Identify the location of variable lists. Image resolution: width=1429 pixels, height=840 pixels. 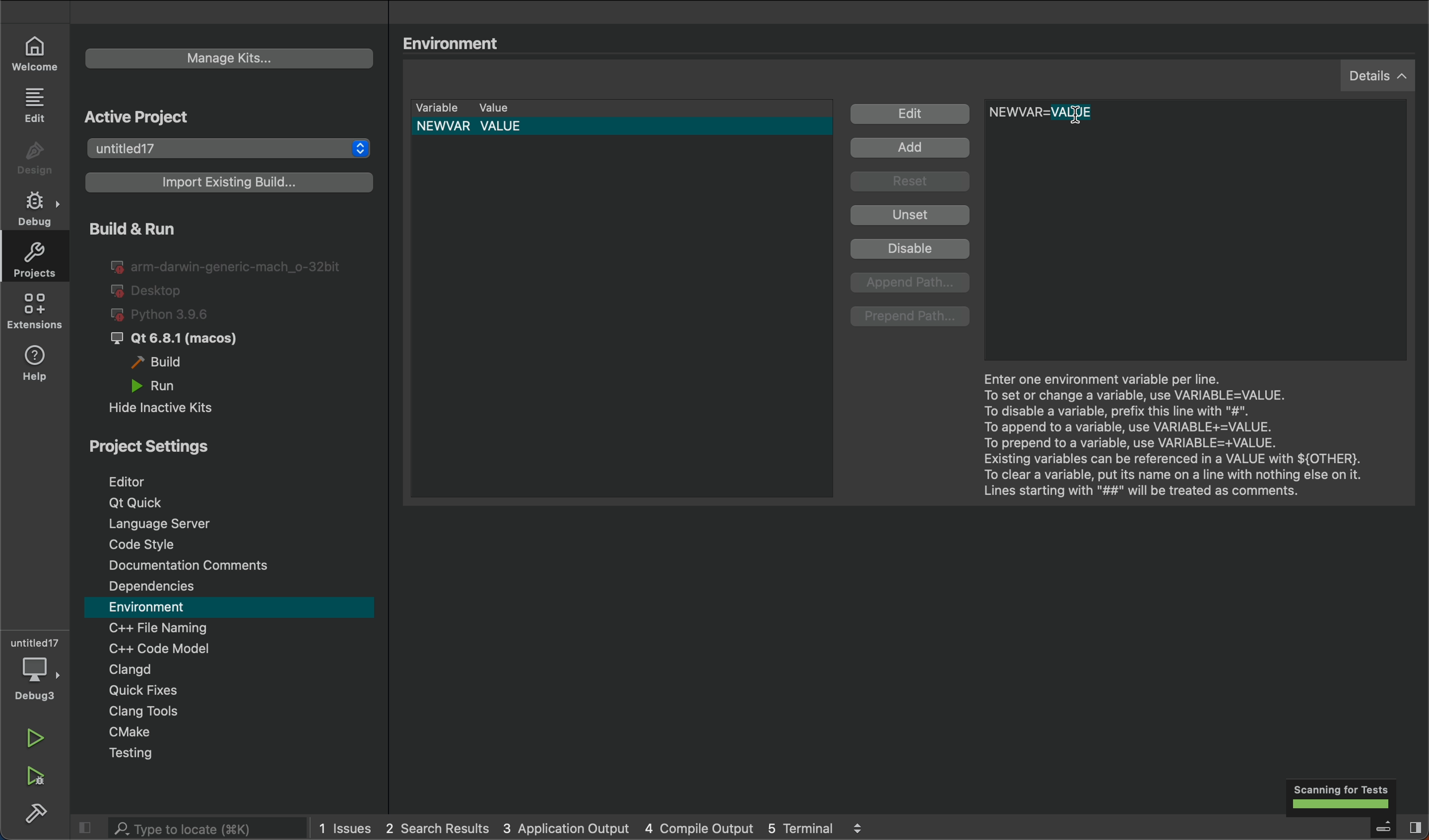
(622, 108).